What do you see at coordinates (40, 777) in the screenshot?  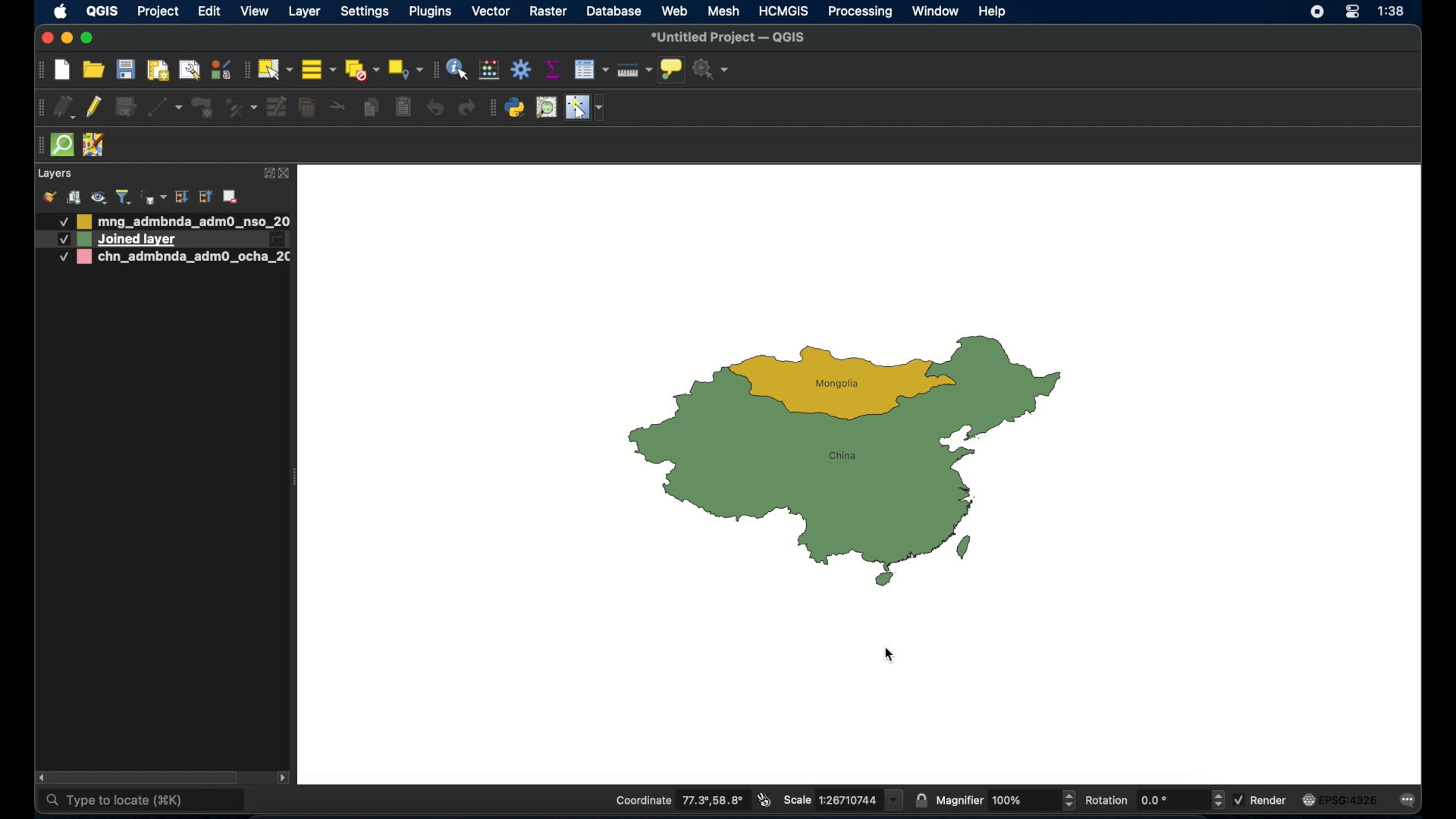 I see `scroll left arrow` at bounding box center [40, 777].